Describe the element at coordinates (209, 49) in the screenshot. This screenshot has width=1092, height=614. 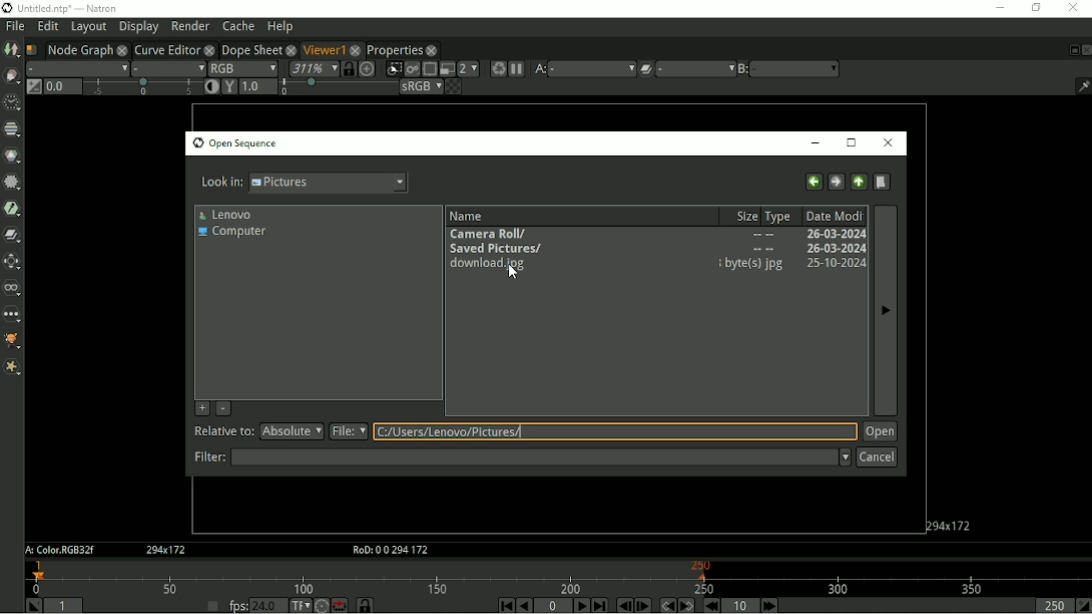
I see `close` at that location.